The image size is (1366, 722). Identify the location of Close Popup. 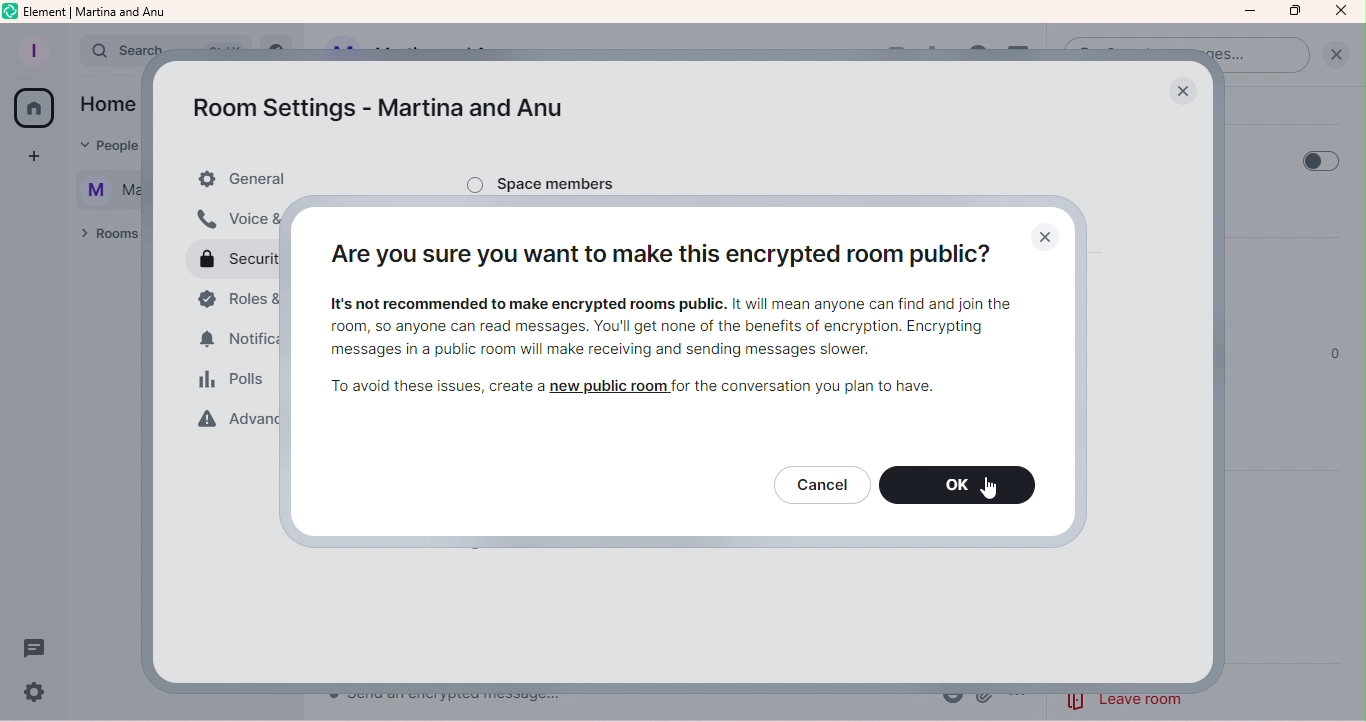
(1182, 93).